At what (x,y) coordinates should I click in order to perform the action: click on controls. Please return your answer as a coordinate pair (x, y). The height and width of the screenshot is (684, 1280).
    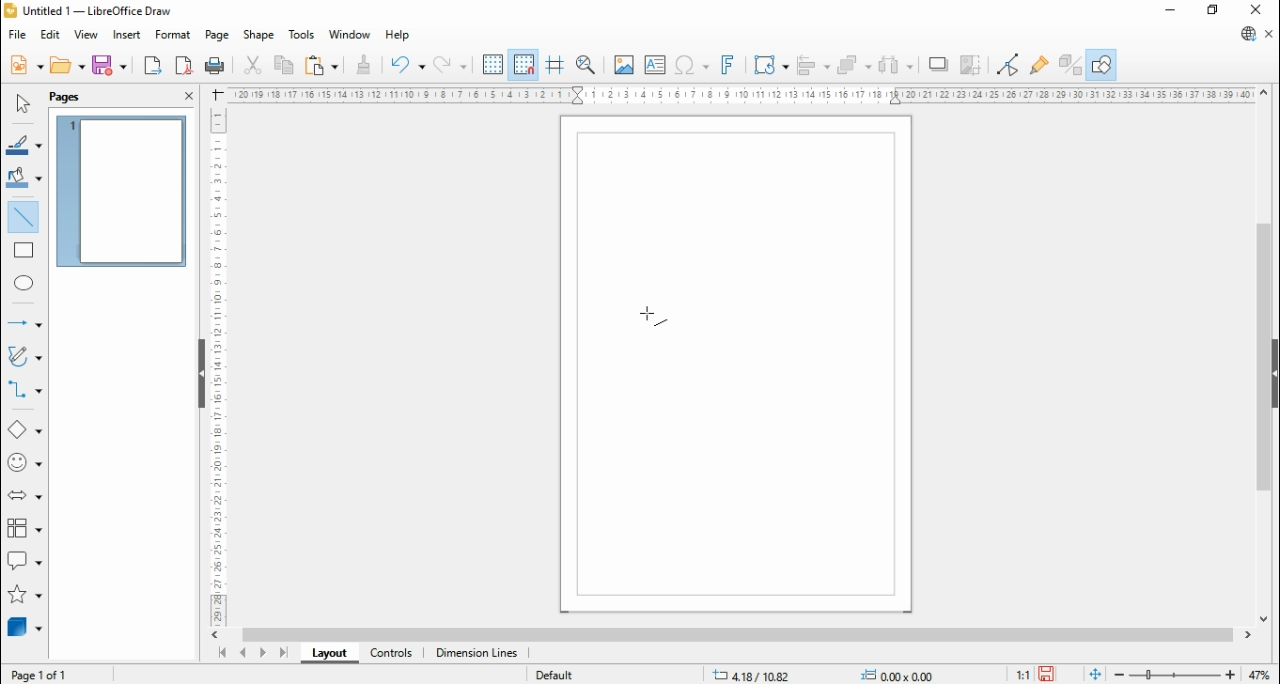
    Looking at the image, I should click on (391, 654).